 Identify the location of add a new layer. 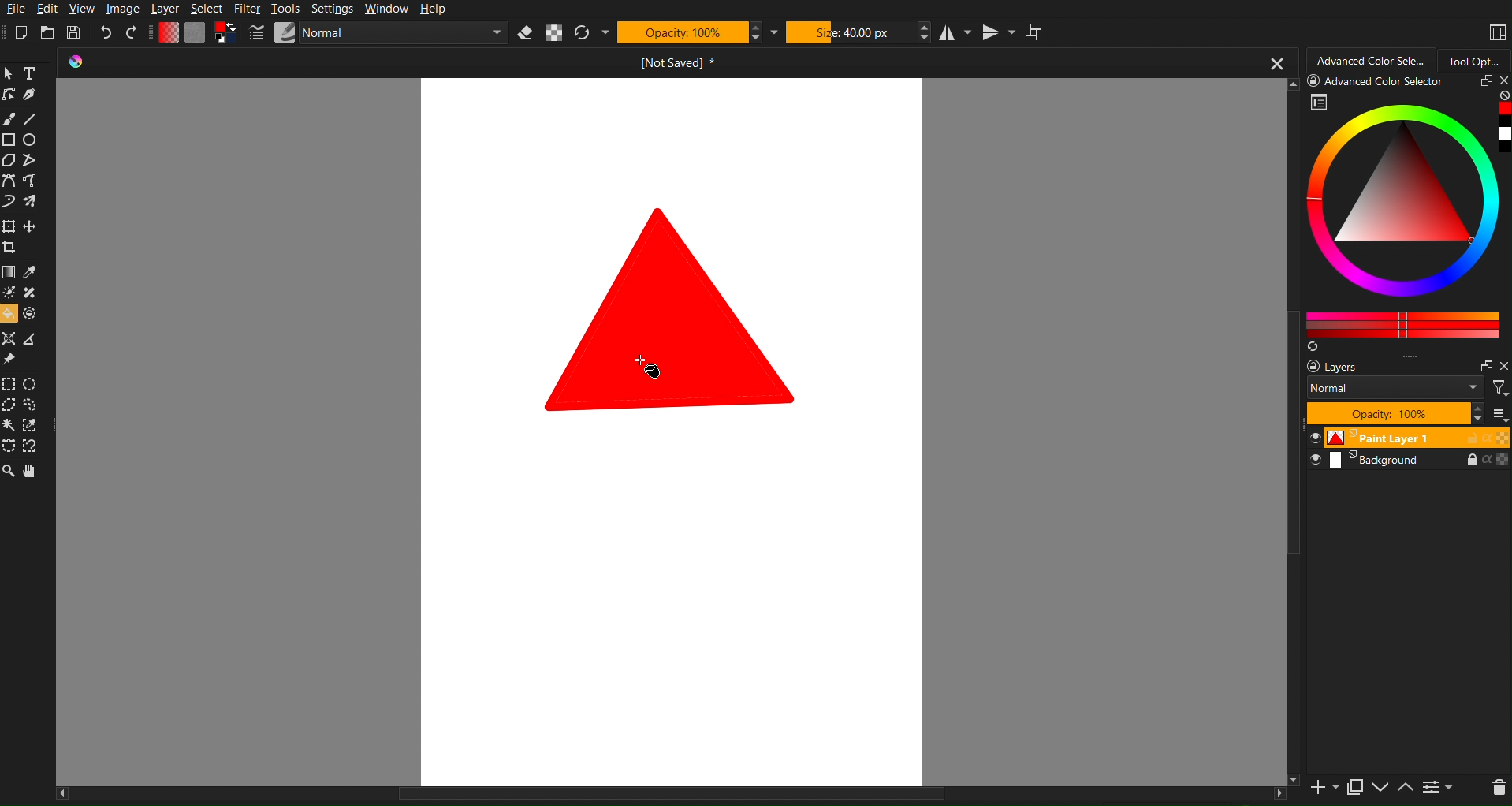
(1322, 789).